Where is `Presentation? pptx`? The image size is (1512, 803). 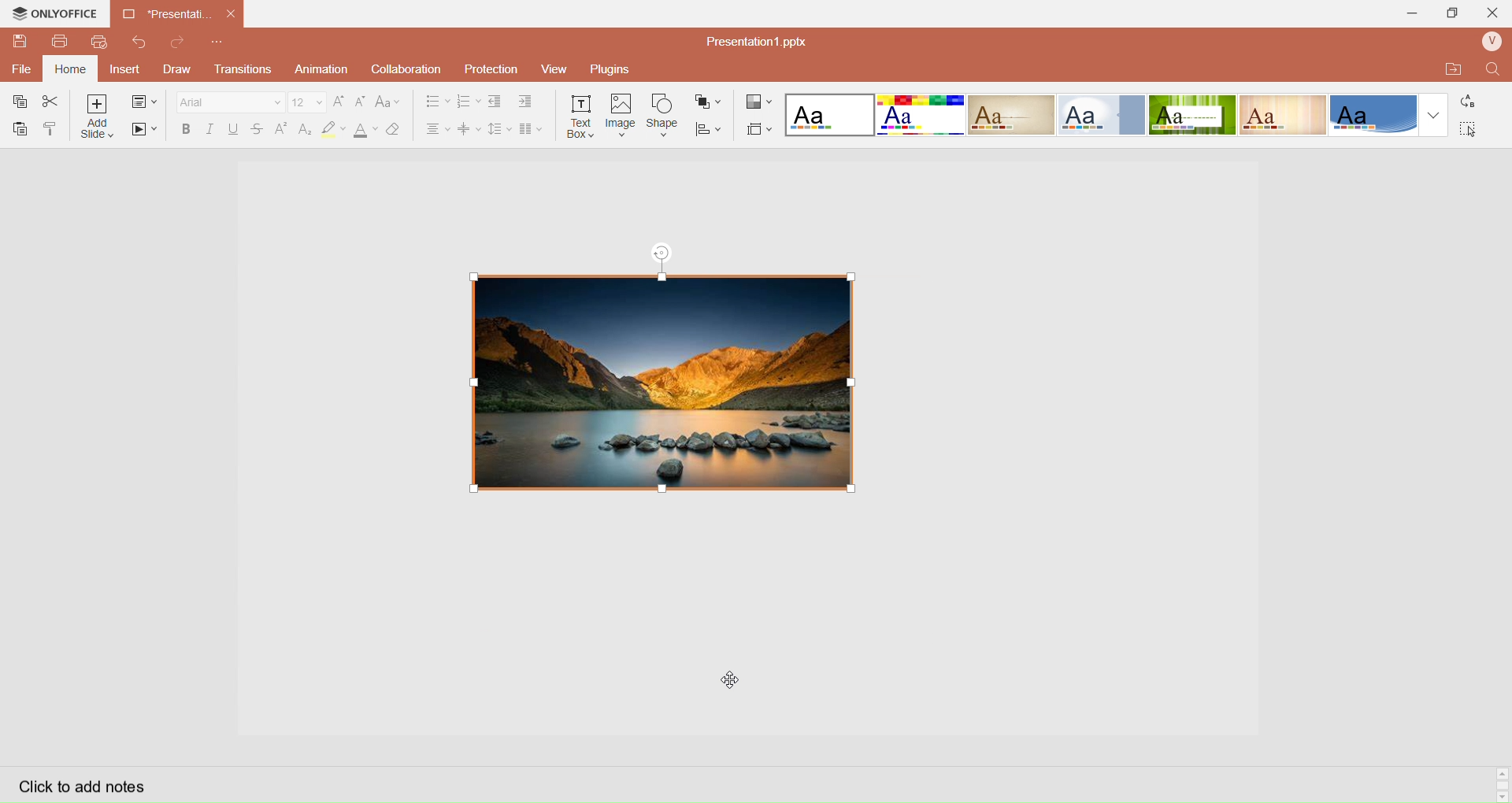 Presentation? pptx is located at coordinates (756, 41).